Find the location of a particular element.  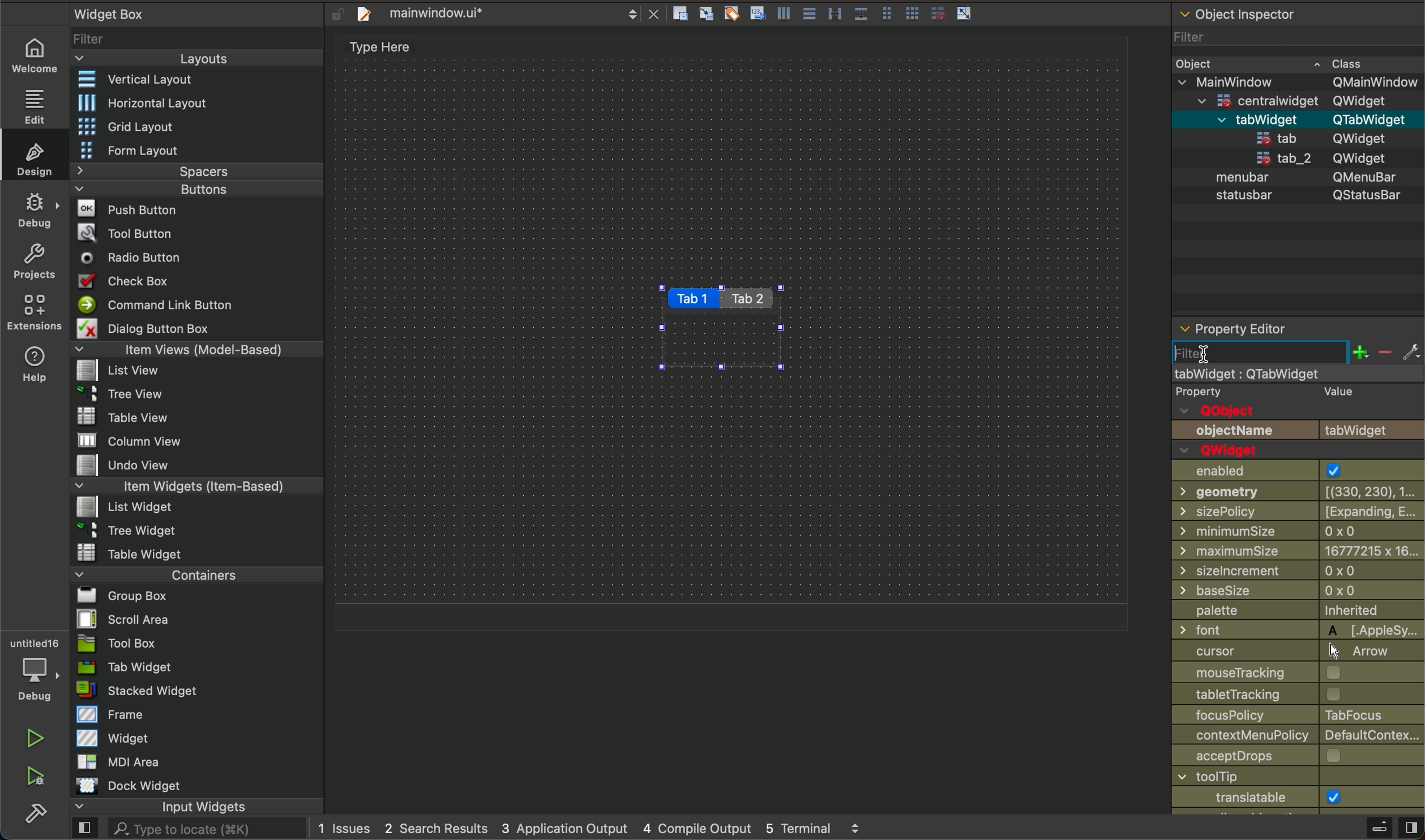

Tool Button is located at coordinates (125, 235).